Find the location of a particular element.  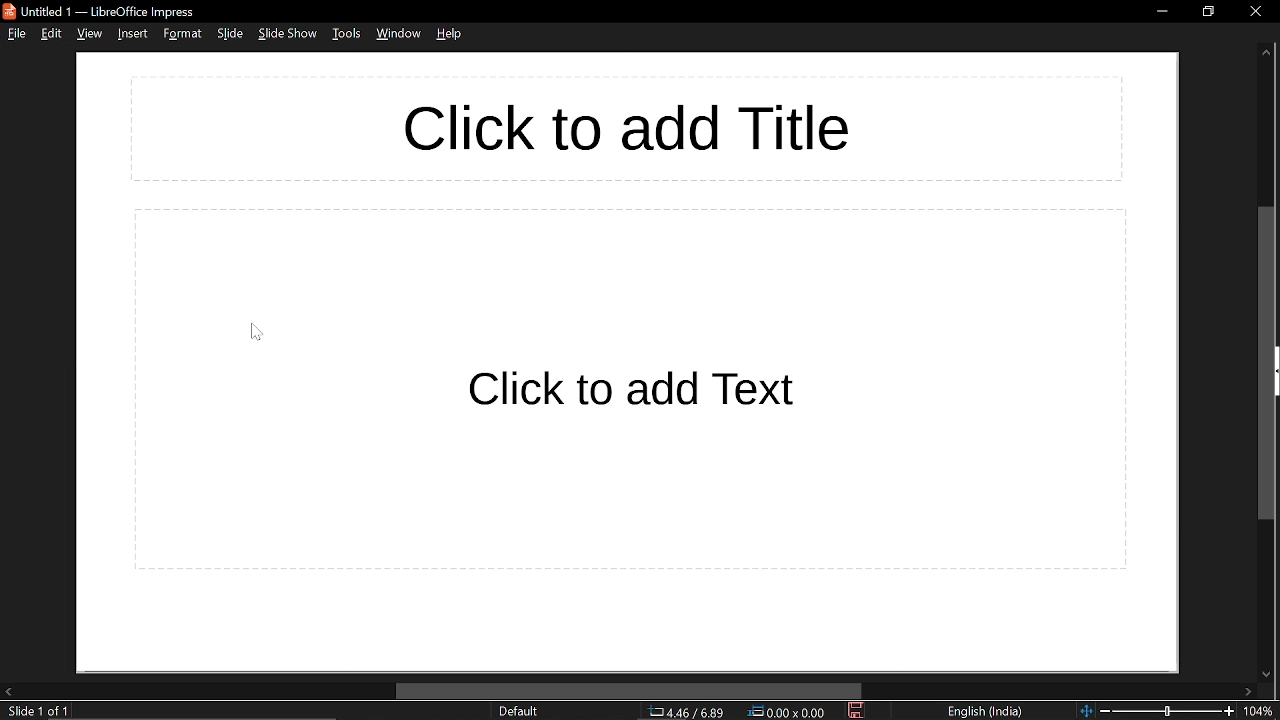

horizontal scrollbar is located at coordinates (628, 691).